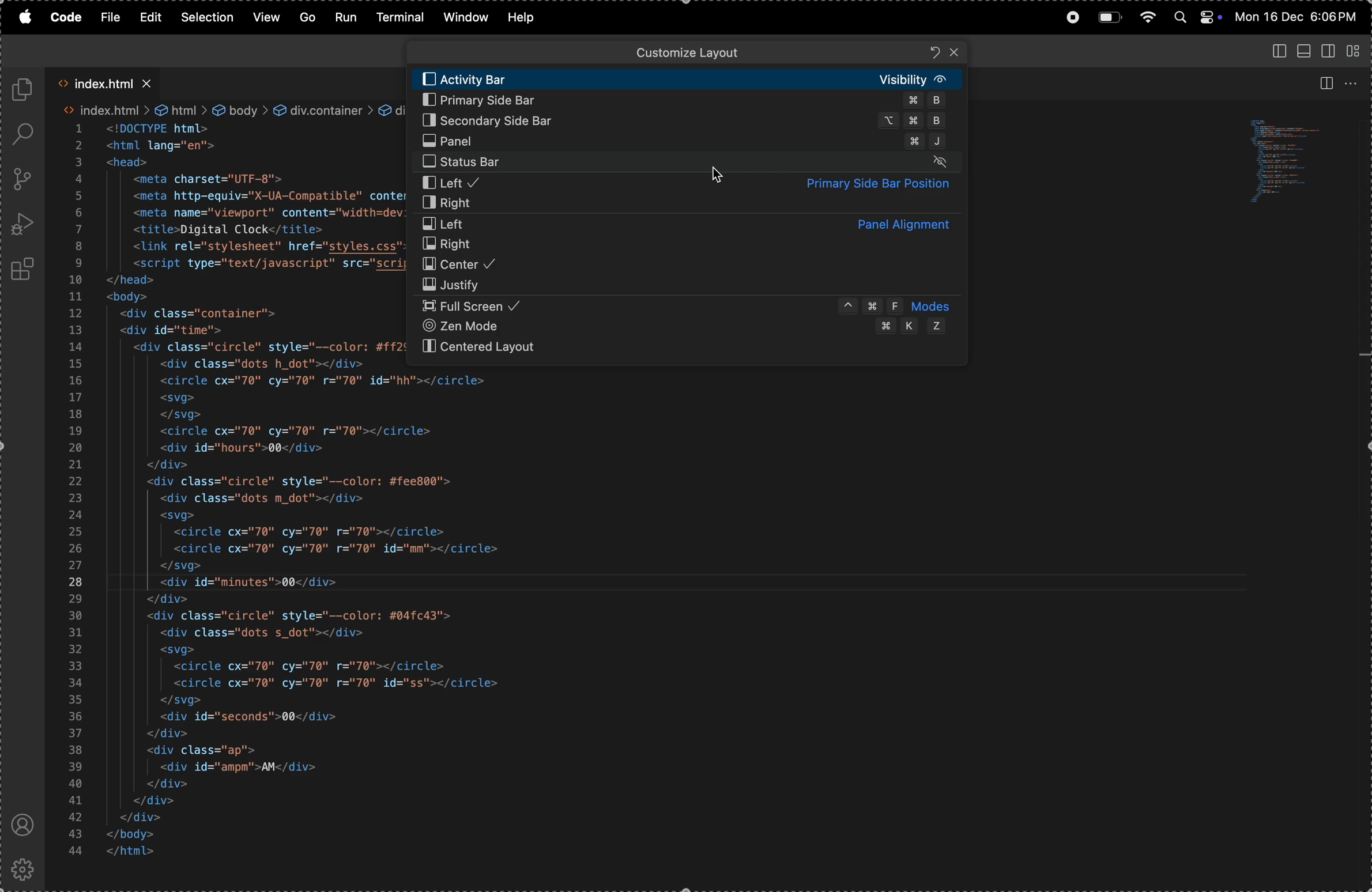 The width and height of the screenshot is (1372, 892). What do you see at coordinates (228, 482) in the screenshot?
I see `code block for web page using html` at bounding box center [228, 482].